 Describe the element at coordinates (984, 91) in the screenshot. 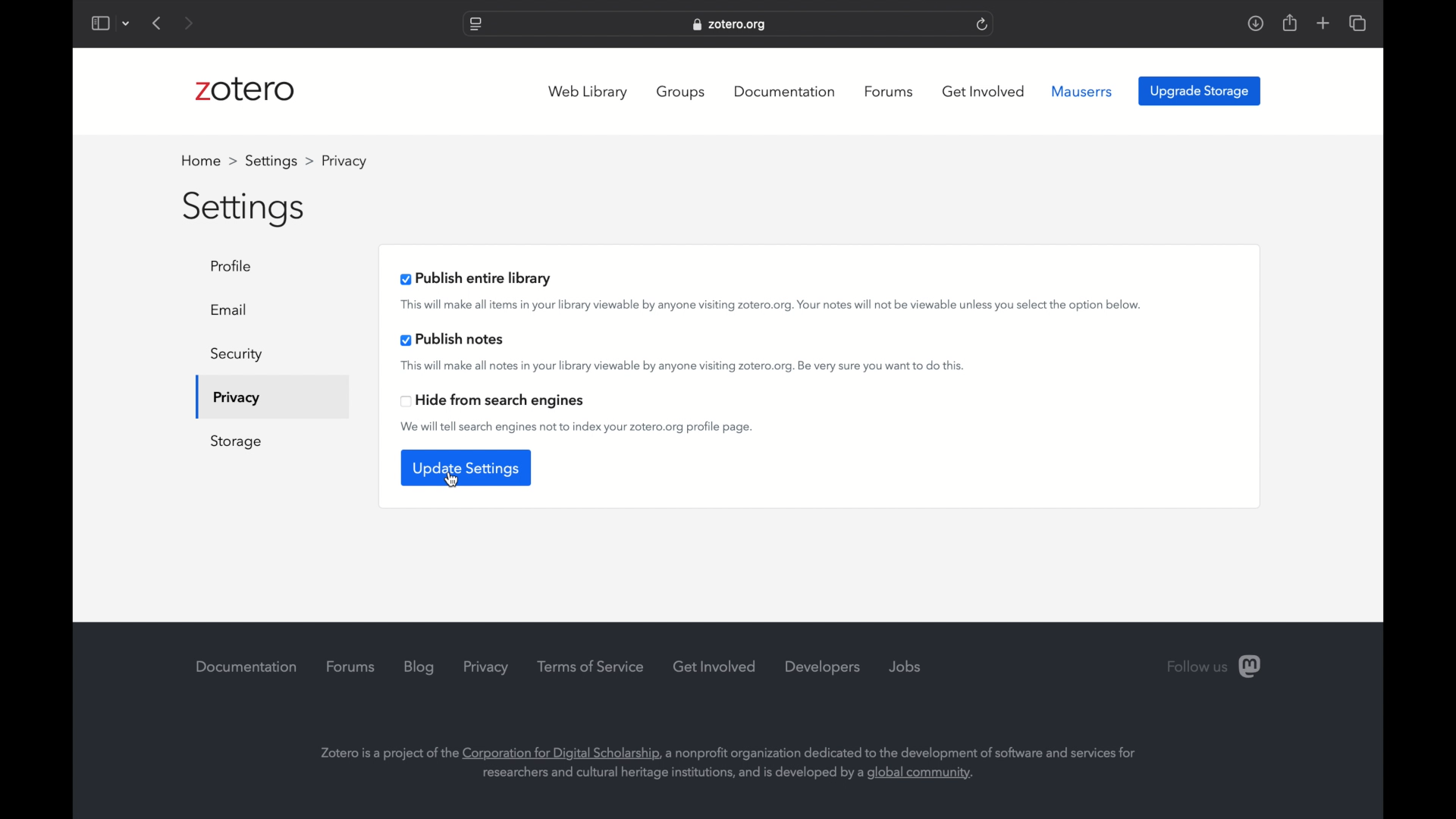

I see `get involved` at that location.